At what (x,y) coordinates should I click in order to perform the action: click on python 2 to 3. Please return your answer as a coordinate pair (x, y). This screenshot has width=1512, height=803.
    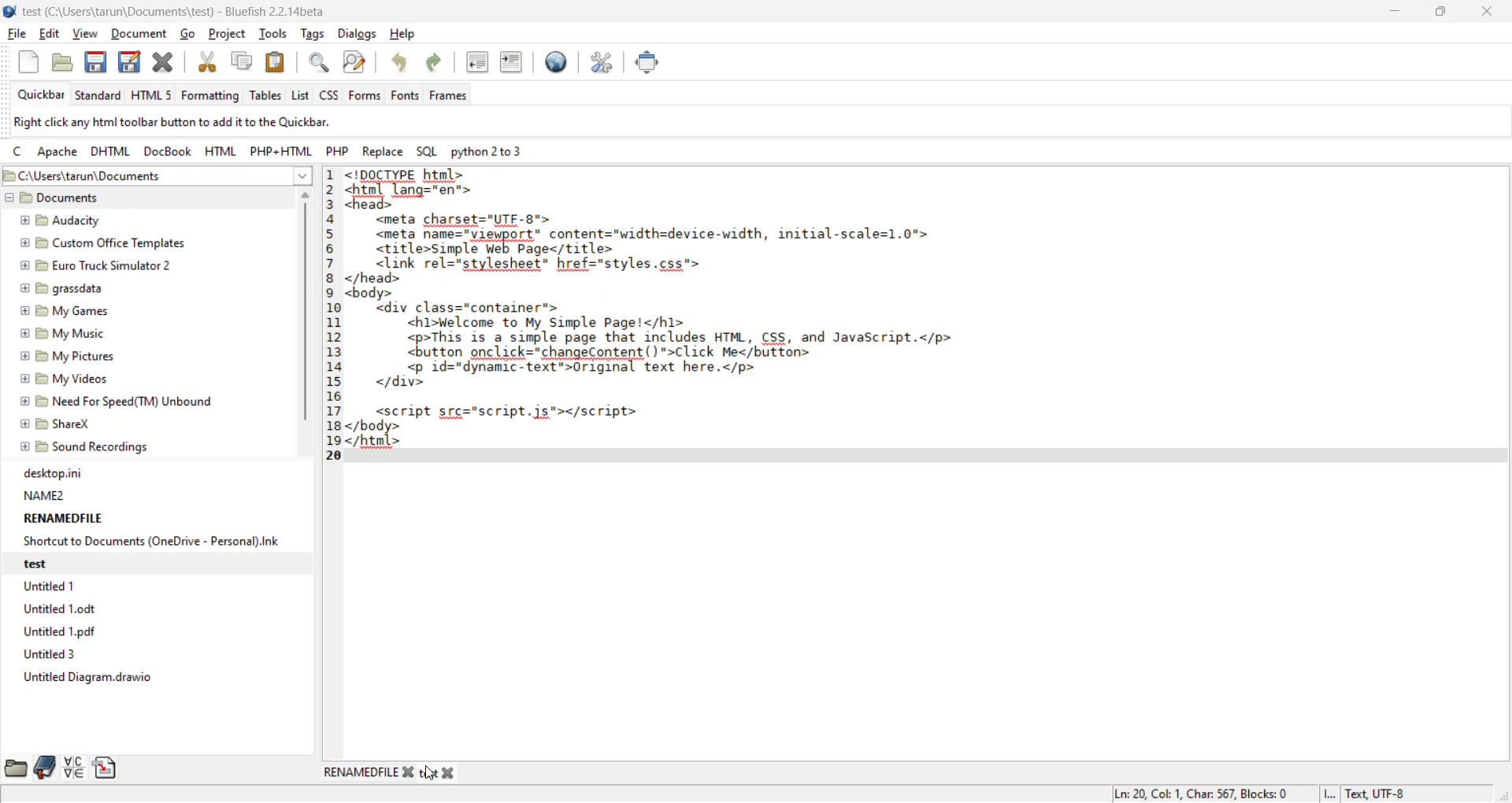
    Looking at the image, I should click on (494, 154).